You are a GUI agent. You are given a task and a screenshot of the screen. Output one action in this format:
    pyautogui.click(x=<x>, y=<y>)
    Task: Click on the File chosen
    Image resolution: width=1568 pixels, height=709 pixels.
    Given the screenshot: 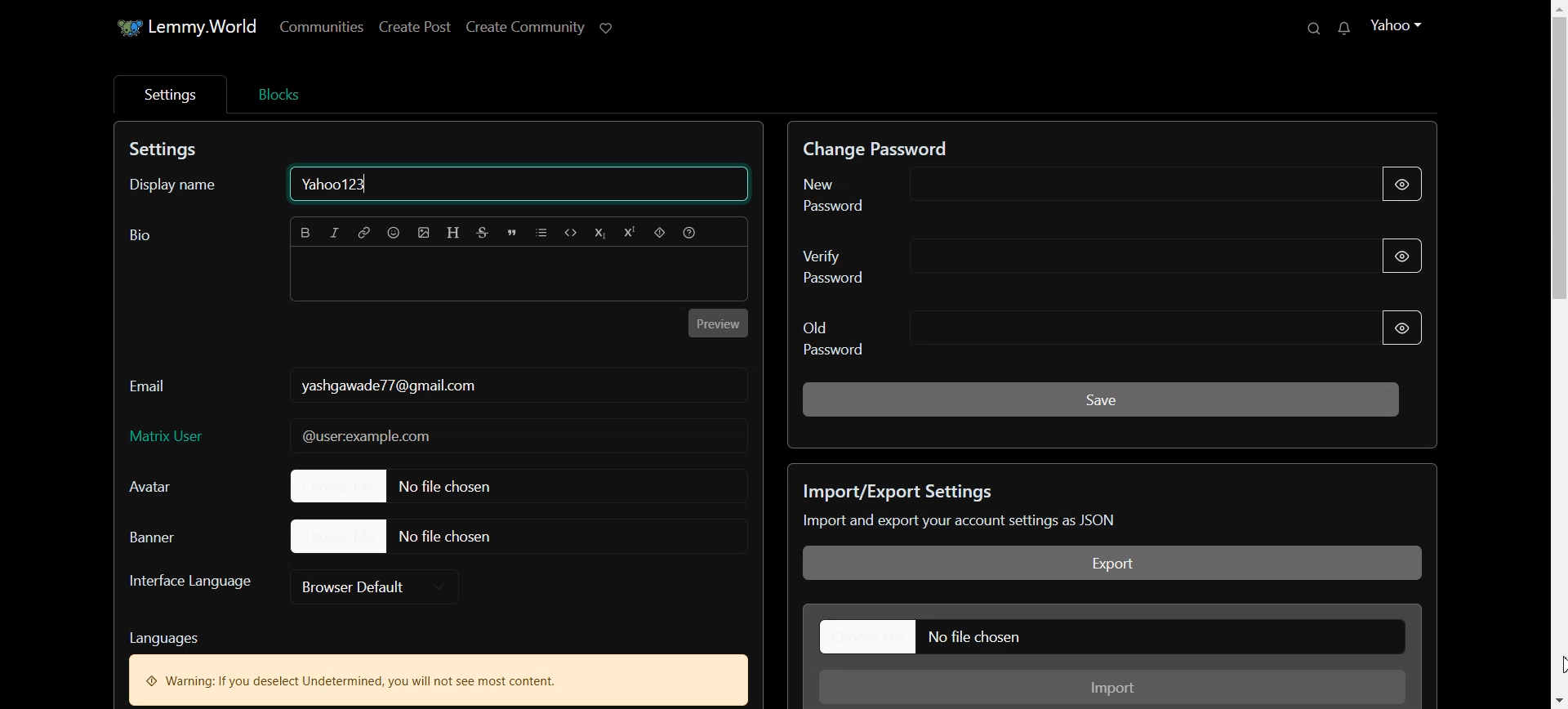 What is the action you would take?
    pyautogui.click(x=1115, y=636)
    